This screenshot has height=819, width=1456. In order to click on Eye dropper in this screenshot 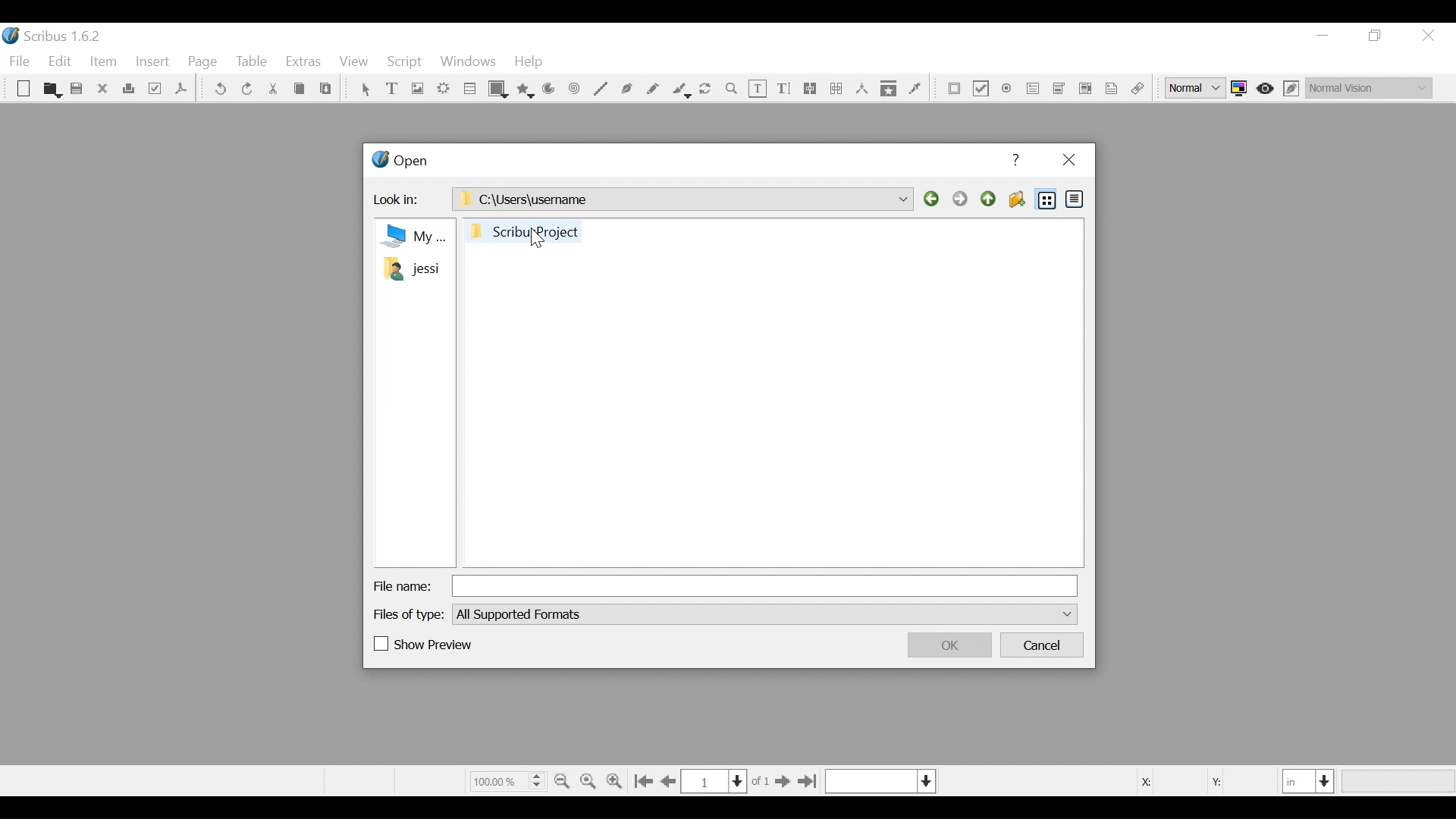, I will do `click(915, 88)`.